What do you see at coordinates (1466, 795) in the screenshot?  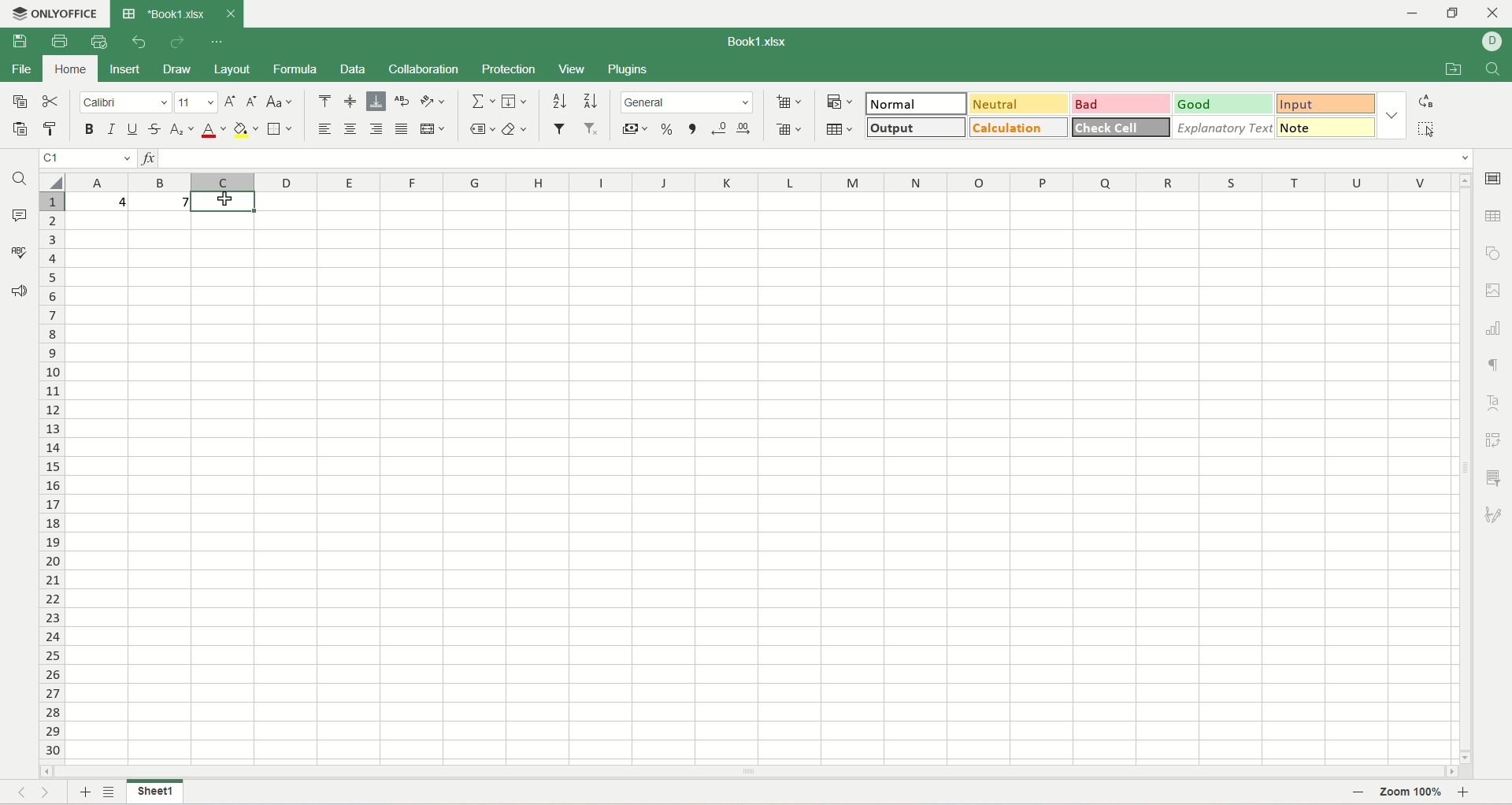 I see `zoom in` at bounding box center [1466, 795].